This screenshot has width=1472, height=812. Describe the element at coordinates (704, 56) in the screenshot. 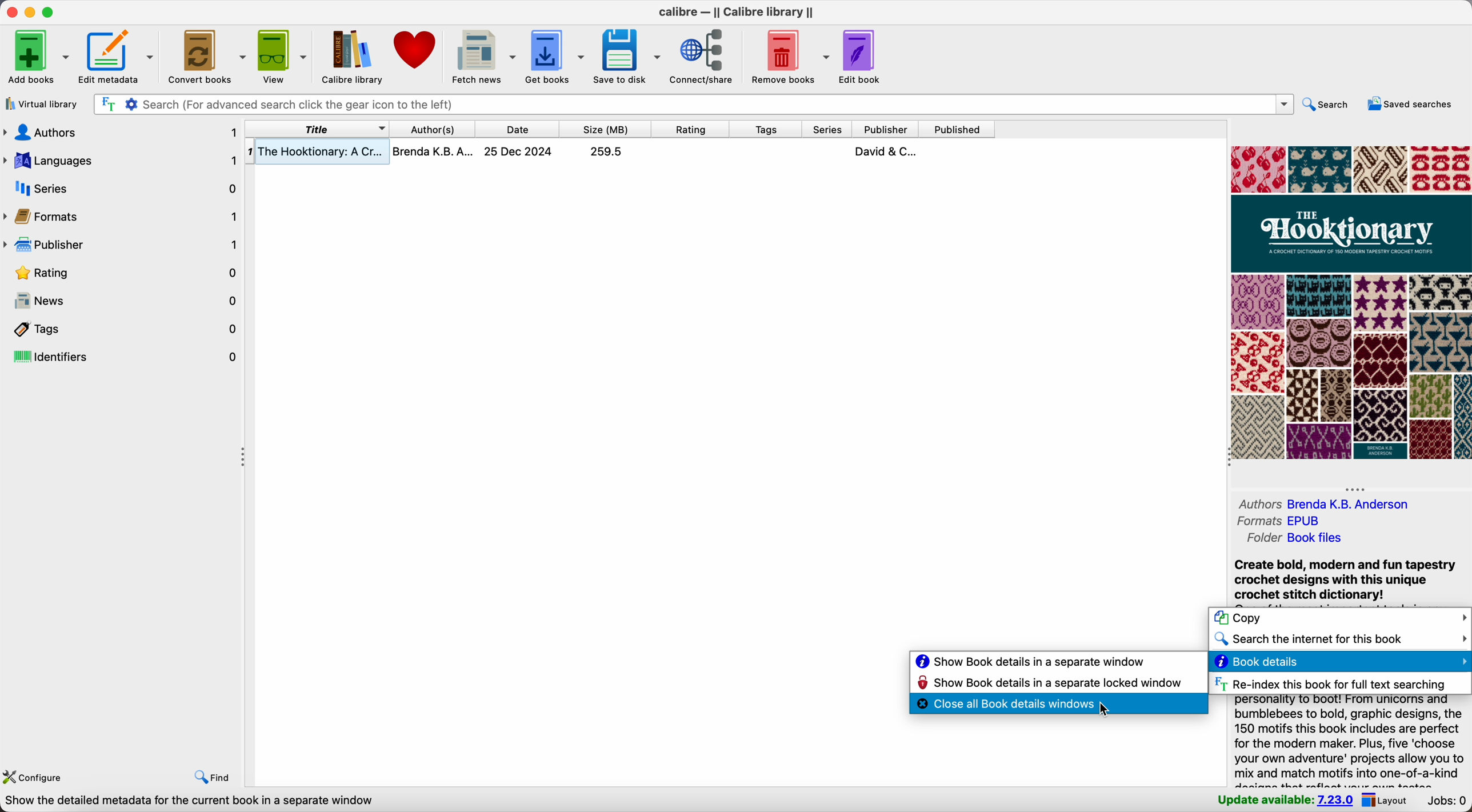

I see `connect/share` at that location.